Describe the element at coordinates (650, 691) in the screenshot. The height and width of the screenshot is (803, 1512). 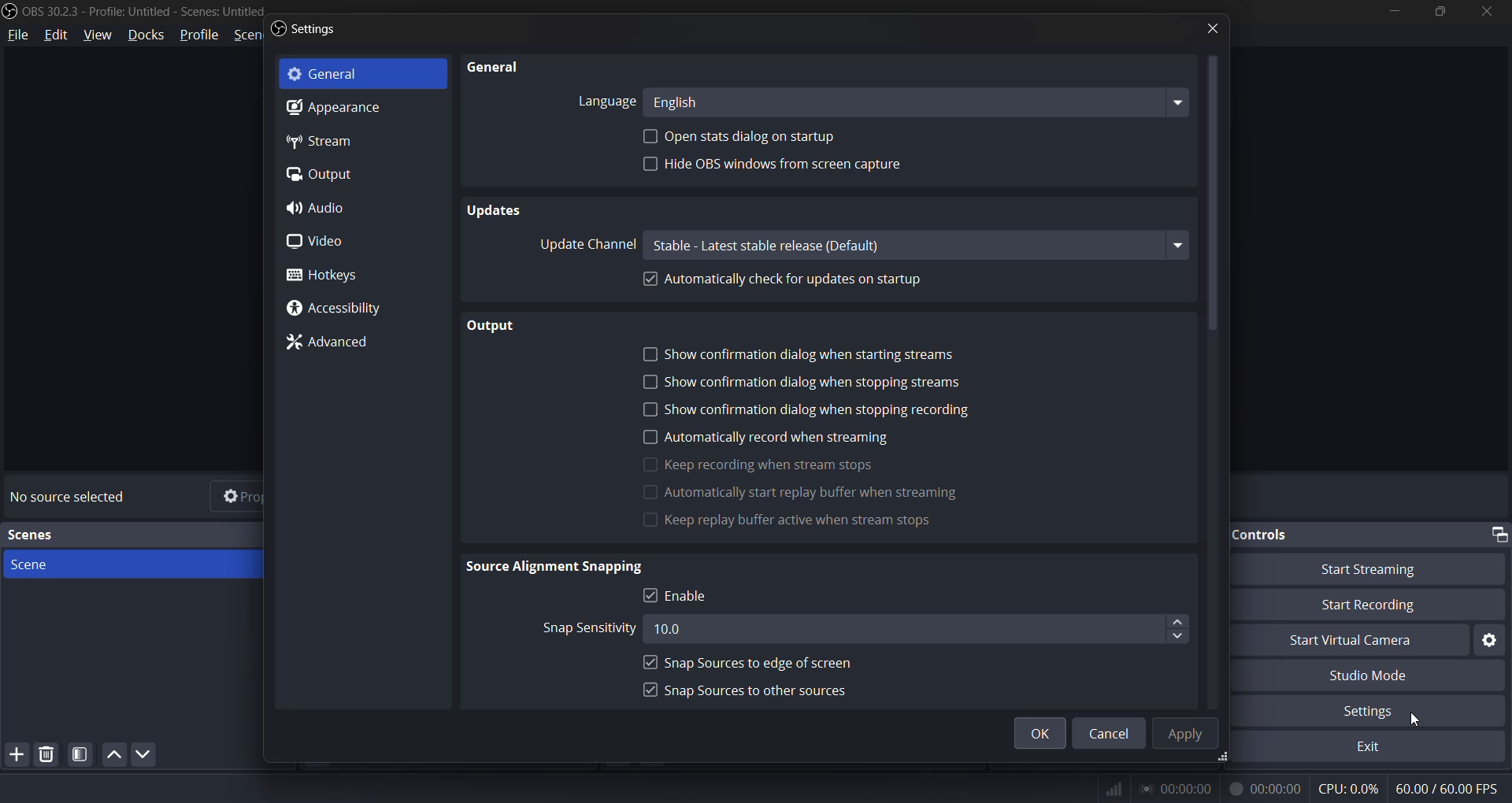
I see `checkbox` at that location.